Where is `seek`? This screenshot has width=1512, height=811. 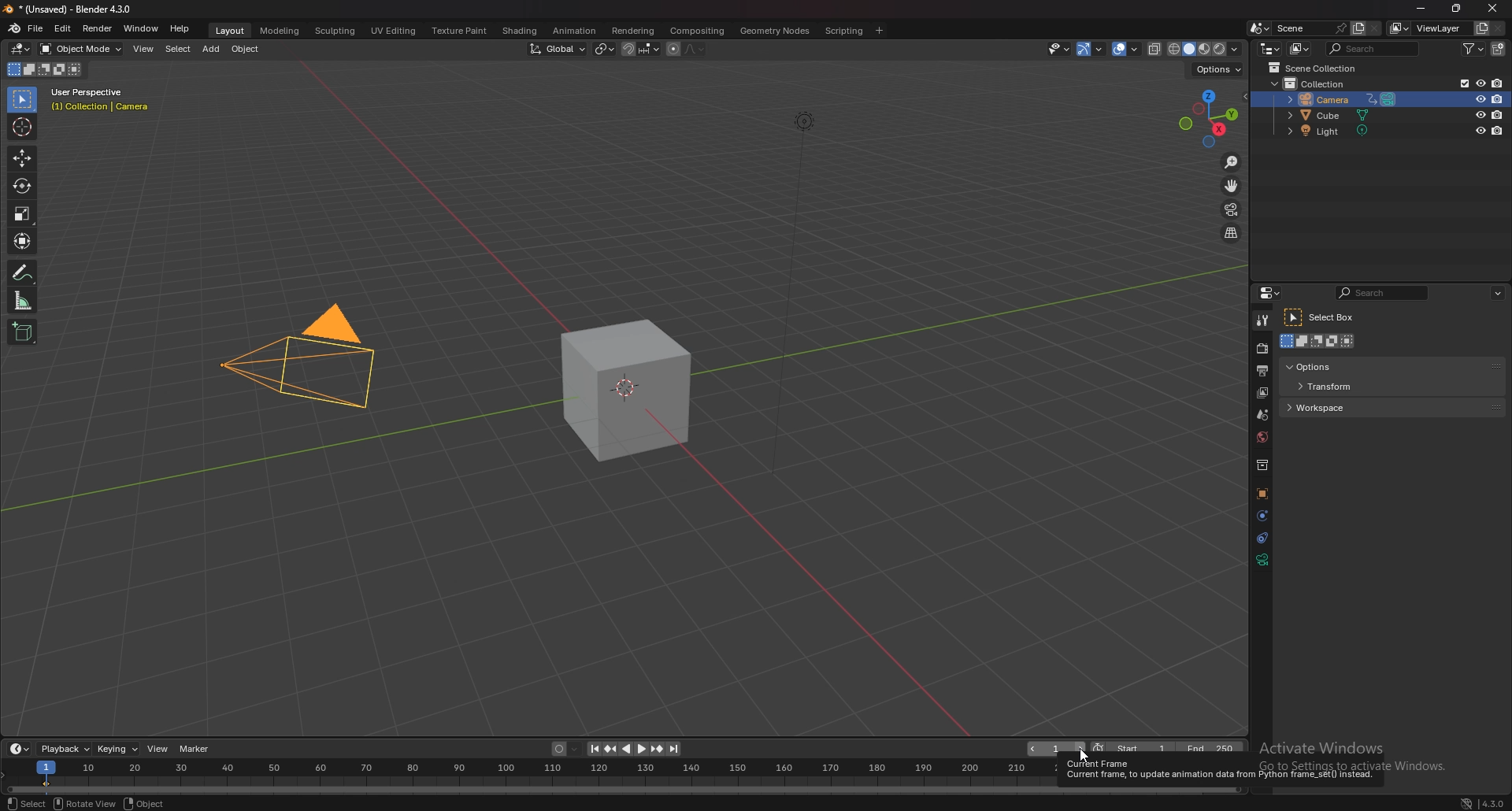 seek is located at coordinates (534, 777).